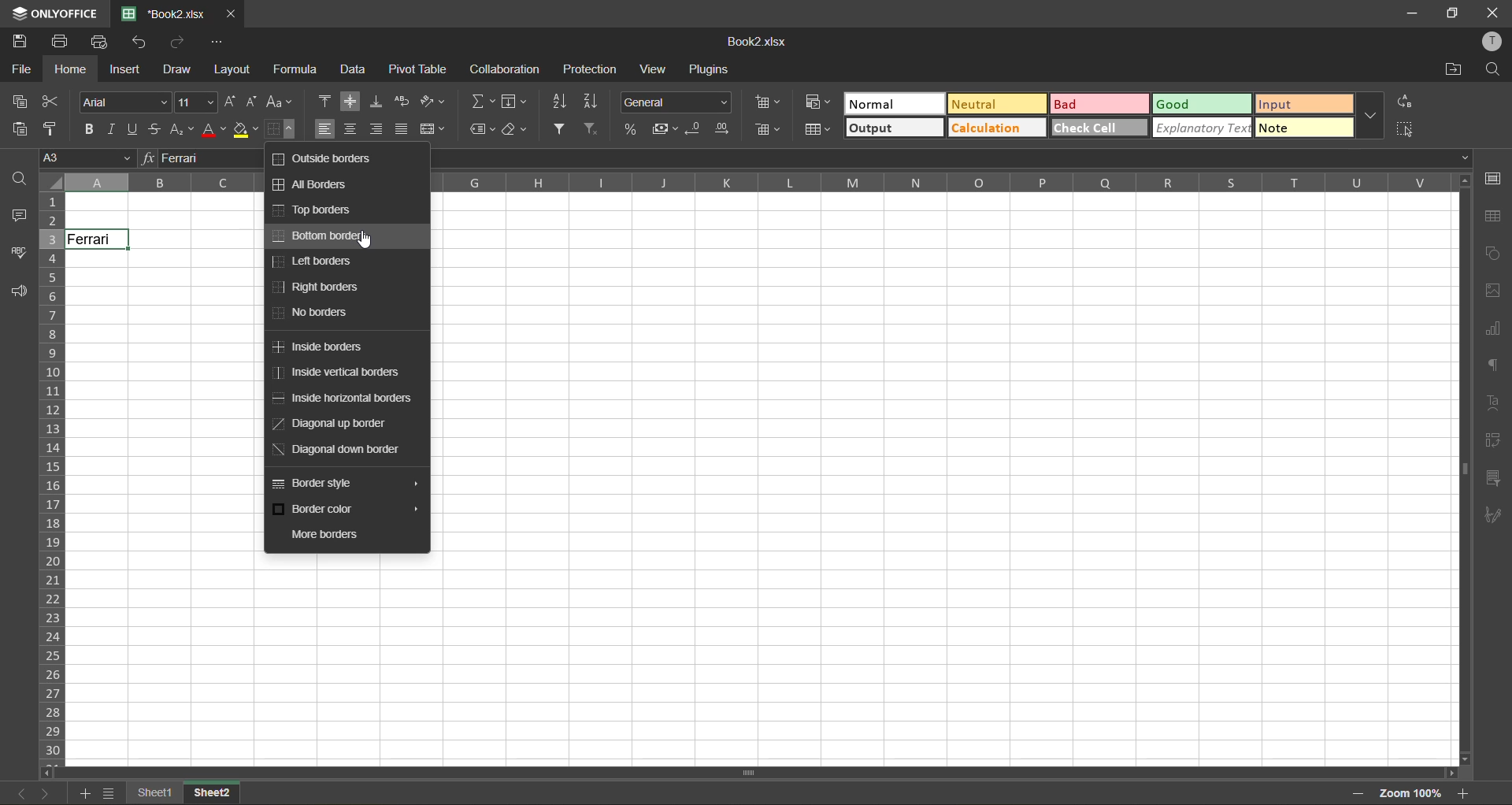 This screenshot has width=1512, height=805. What do you see at coordinates (817, 103) in the screenshot?
I see `conditional formatting` at bounding box center [817, 103].